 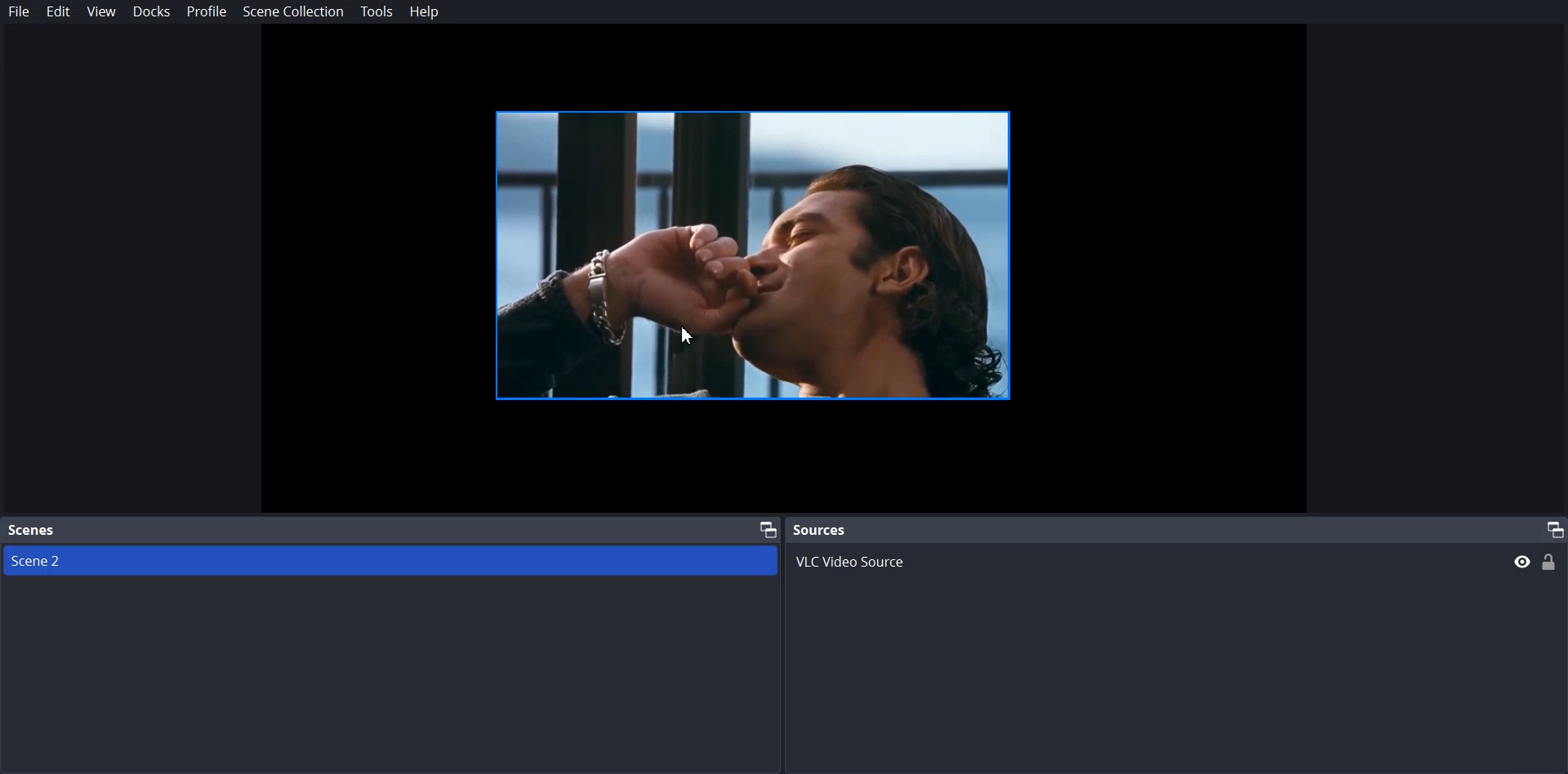 What do you see at coordinates (1553, 527) in the screenshot?
I see `Maximize` at bounding box center [1553, 527].